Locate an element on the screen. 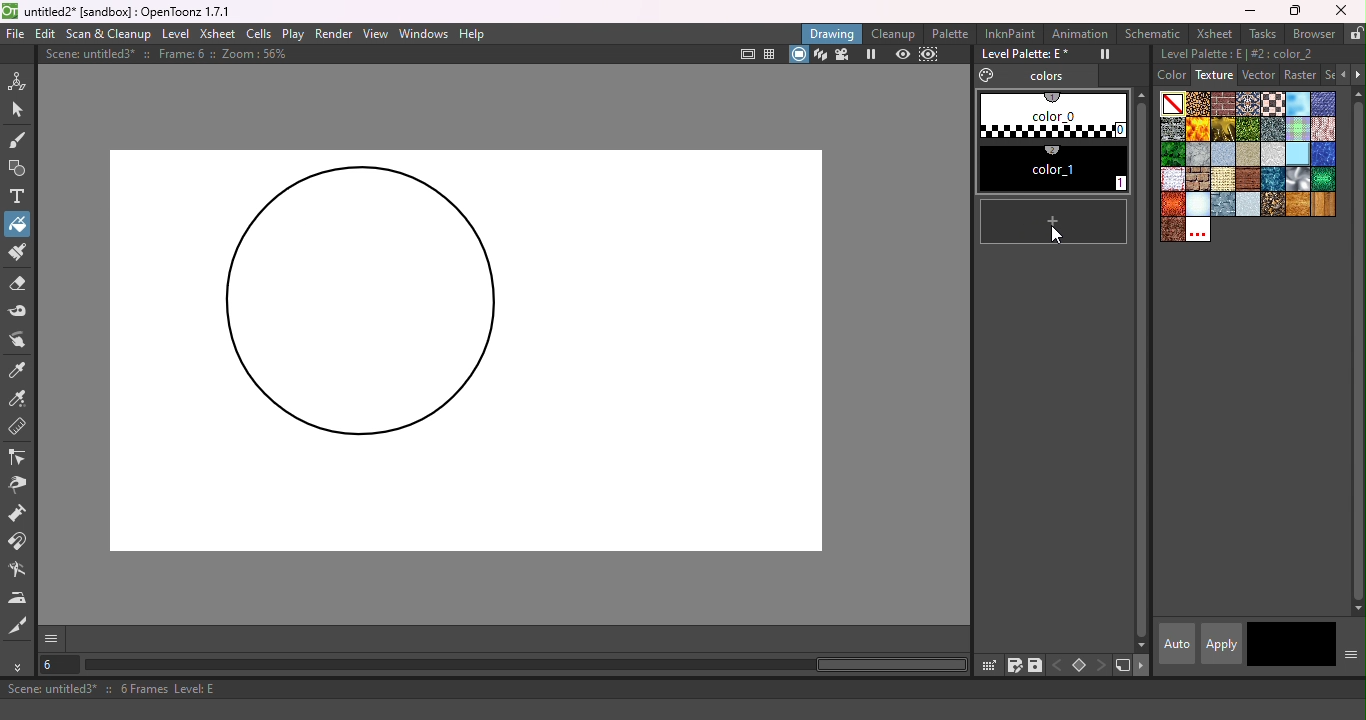 This screenshot has height=720, width=1366. Drawing is located at coordinates (833, 33).